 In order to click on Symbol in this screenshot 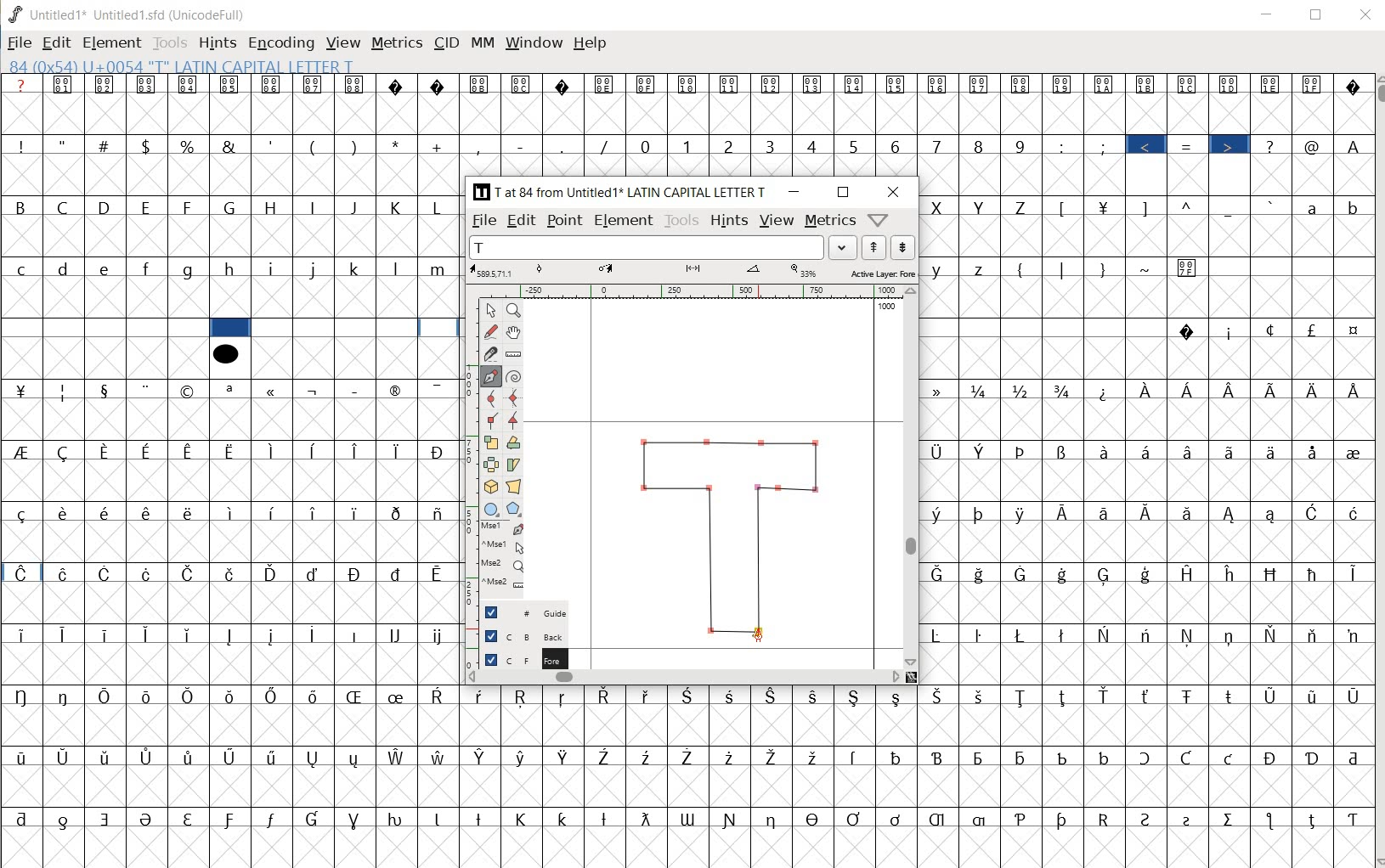, I will do `click(230, 84)`.